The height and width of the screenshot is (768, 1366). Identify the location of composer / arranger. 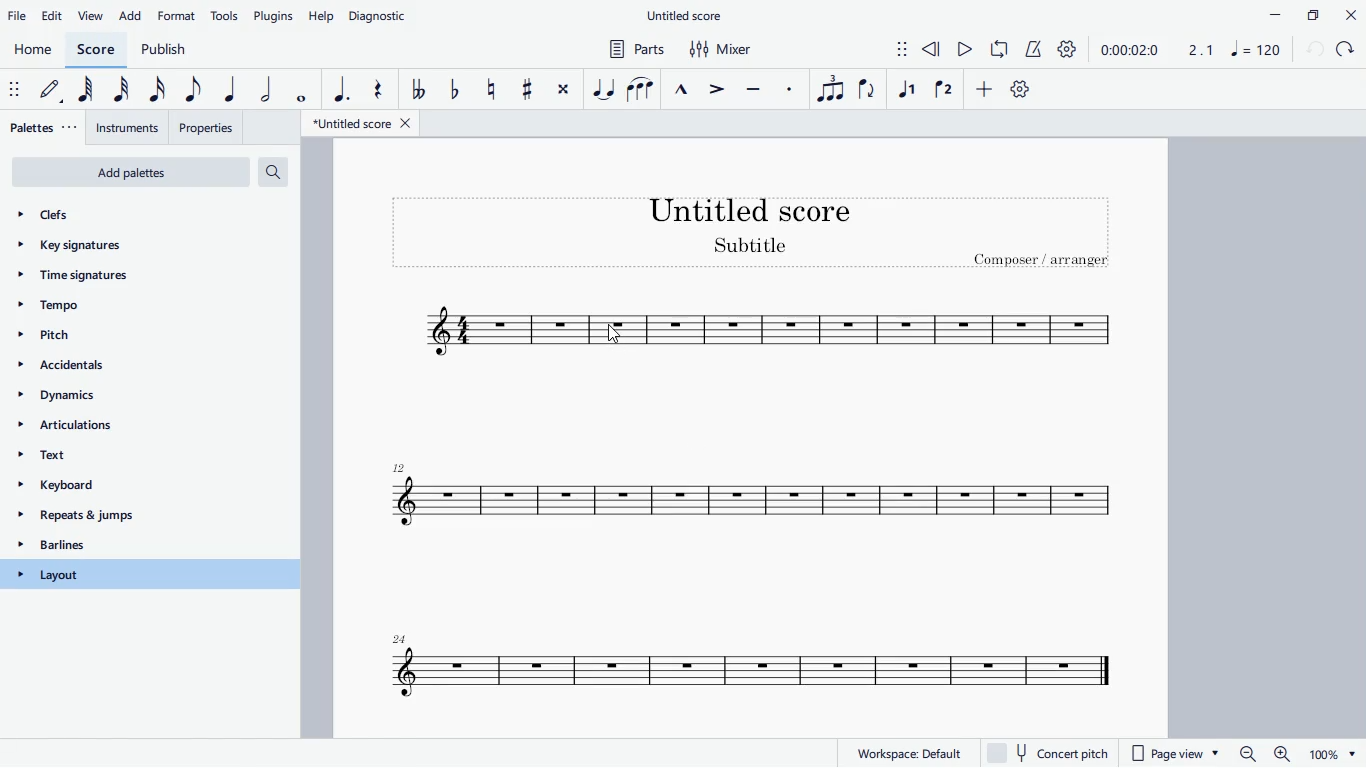
(1045, 262).